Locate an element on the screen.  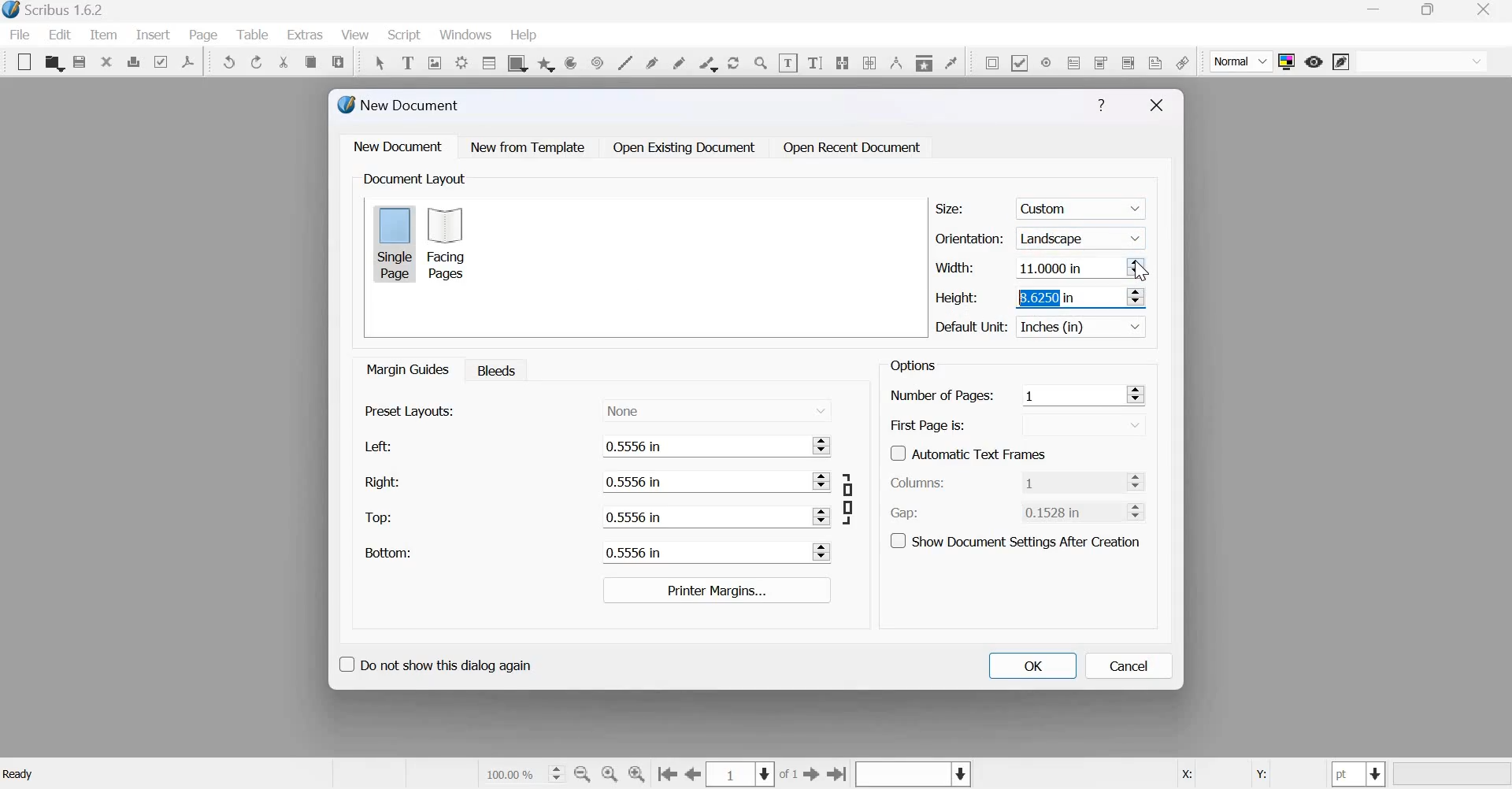
normal vision is located at coordinates (1422, 61).